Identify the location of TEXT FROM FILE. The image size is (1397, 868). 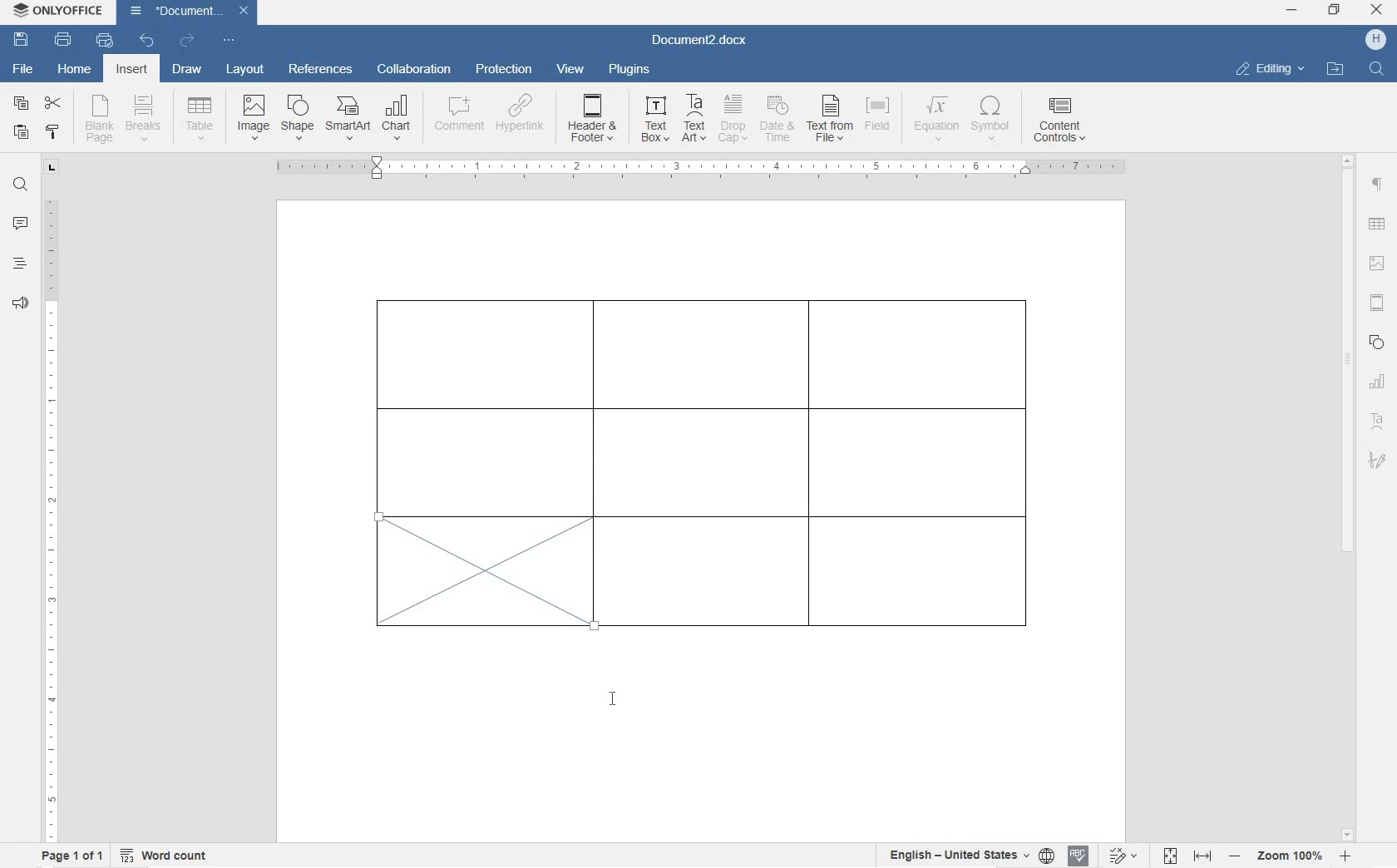
(832, 121).